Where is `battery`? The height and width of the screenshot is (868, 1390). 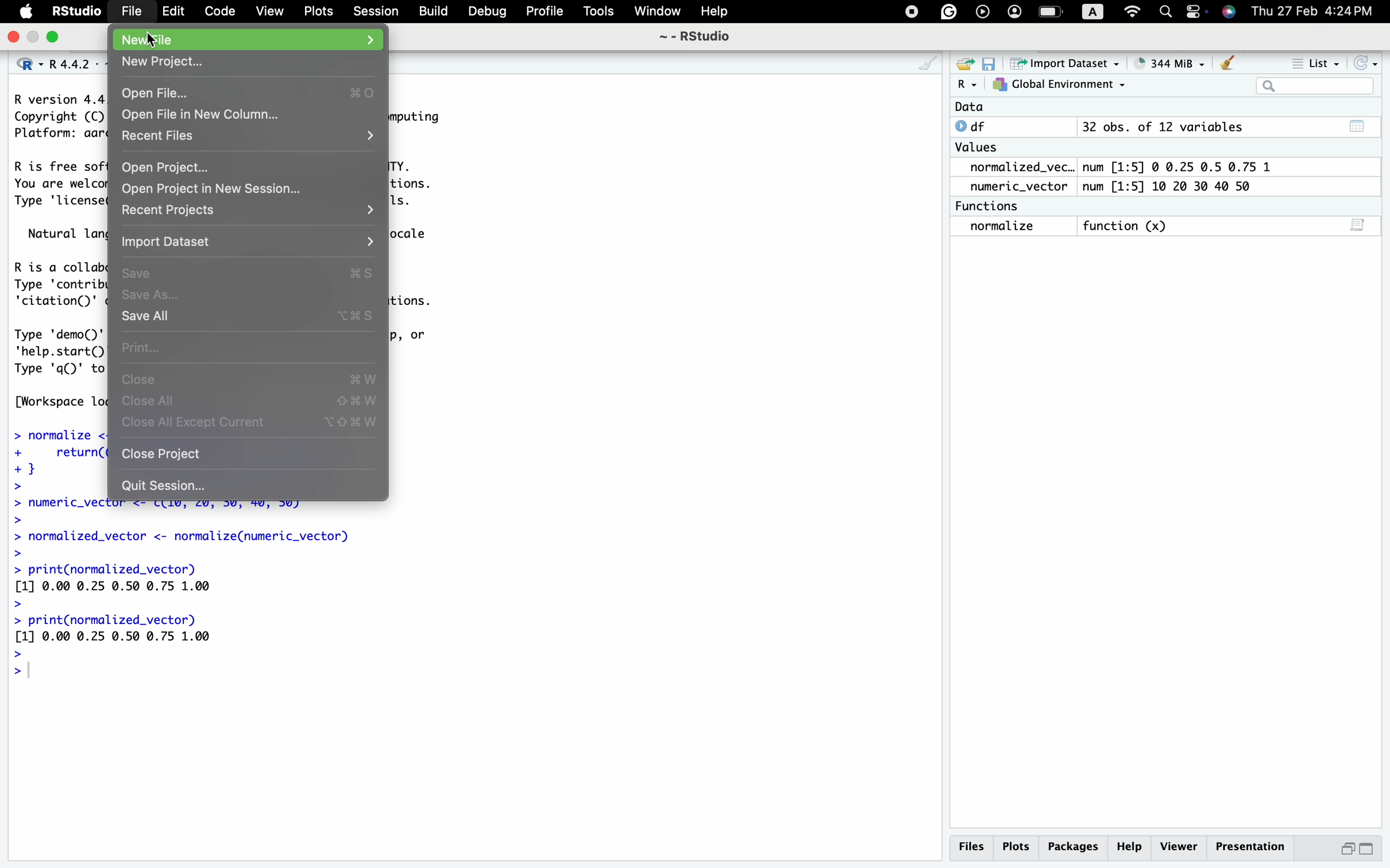 battery is located at coordinates (1052, 10).